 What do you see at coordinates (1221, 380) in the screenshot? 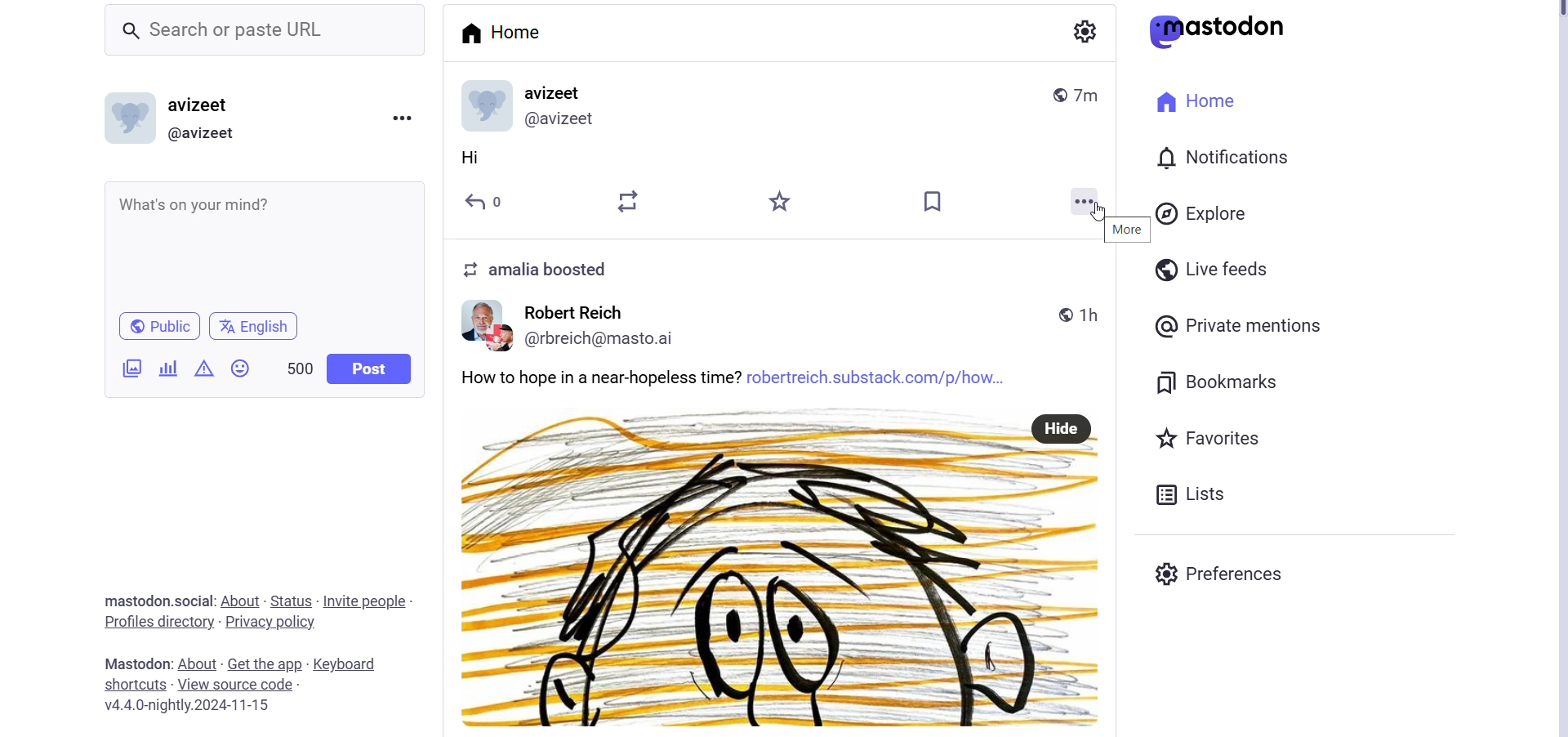
I see `Bookmarks` at bounding box center [1221, 380].